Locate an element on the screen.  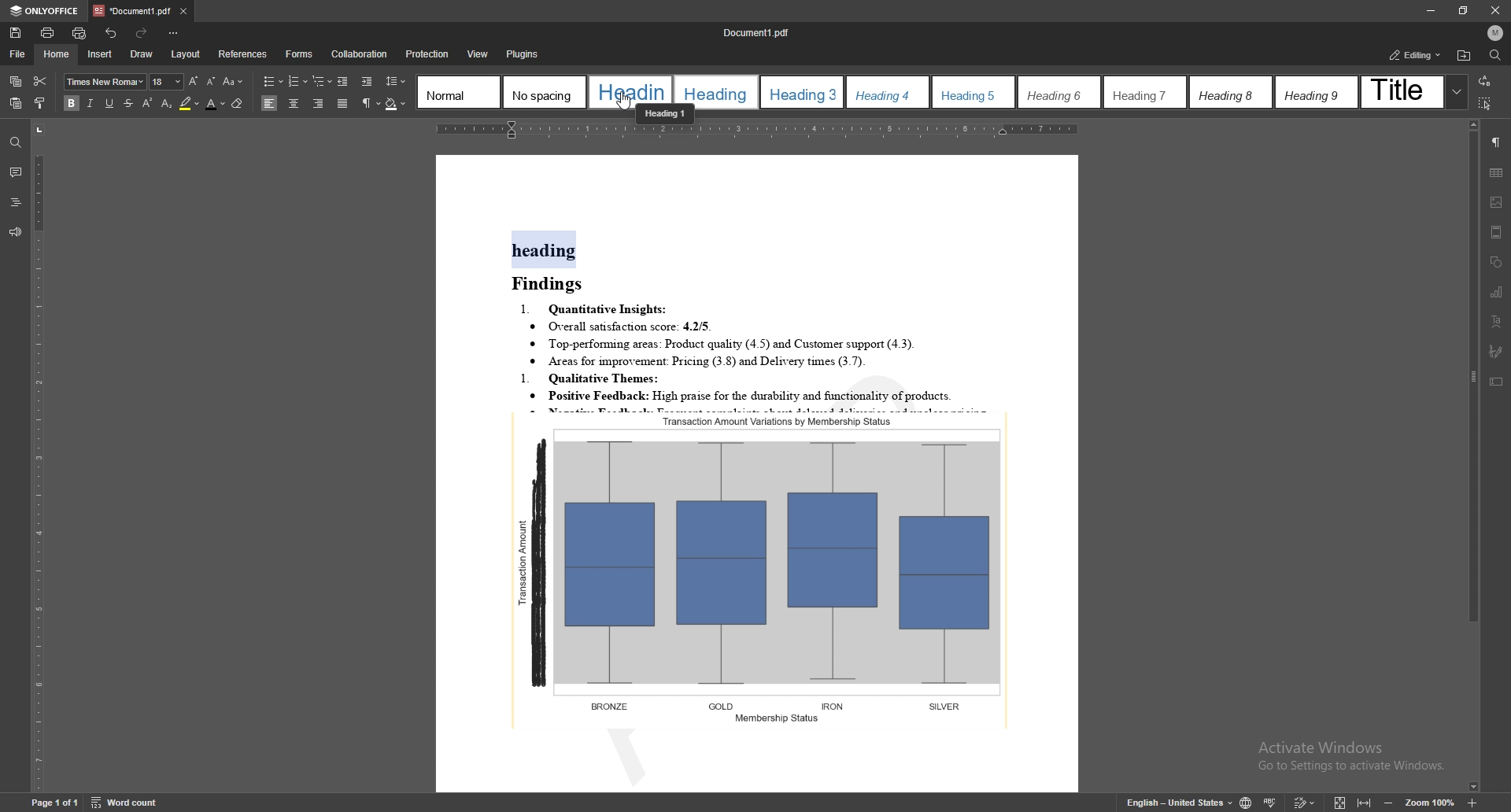
® Areas for improvement: Pricing (3.8) and Delivery times (3.7). is located at coordinates (698, 361).